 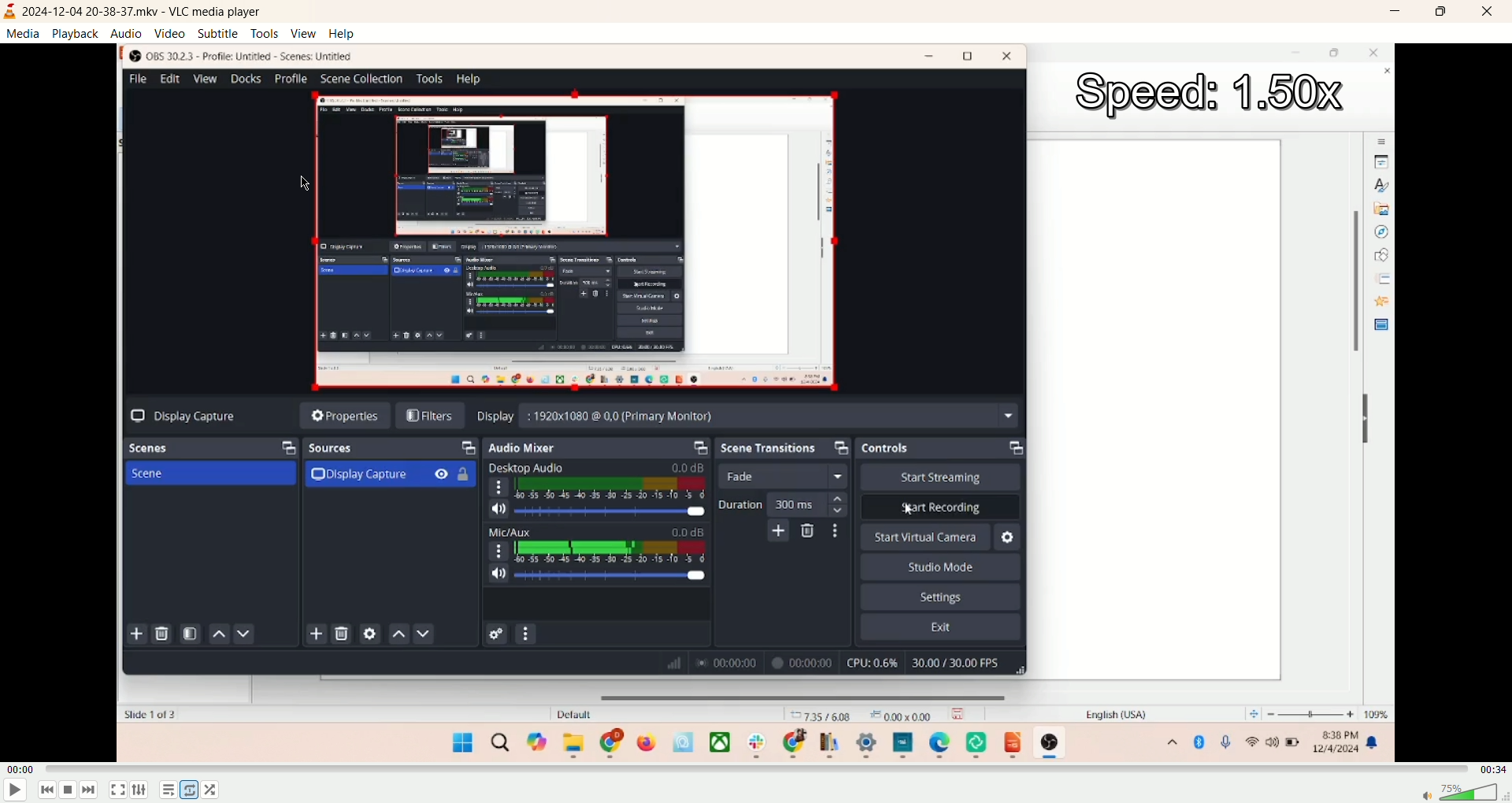 I want to click on playlist, so click(x=165, y=792).